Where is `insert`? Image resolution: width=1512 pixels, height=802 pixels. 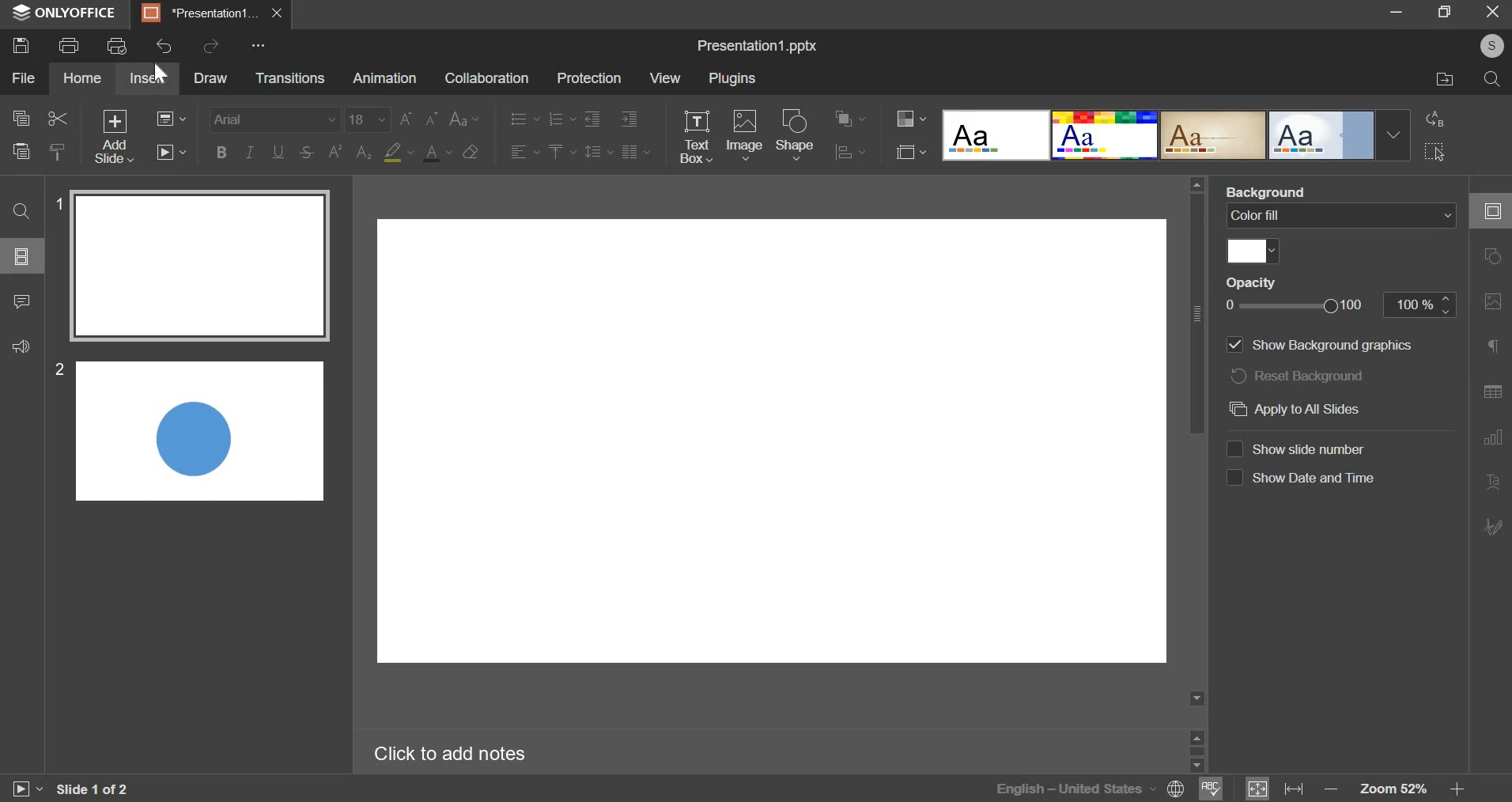
insert is located at coordinates (146, 79).